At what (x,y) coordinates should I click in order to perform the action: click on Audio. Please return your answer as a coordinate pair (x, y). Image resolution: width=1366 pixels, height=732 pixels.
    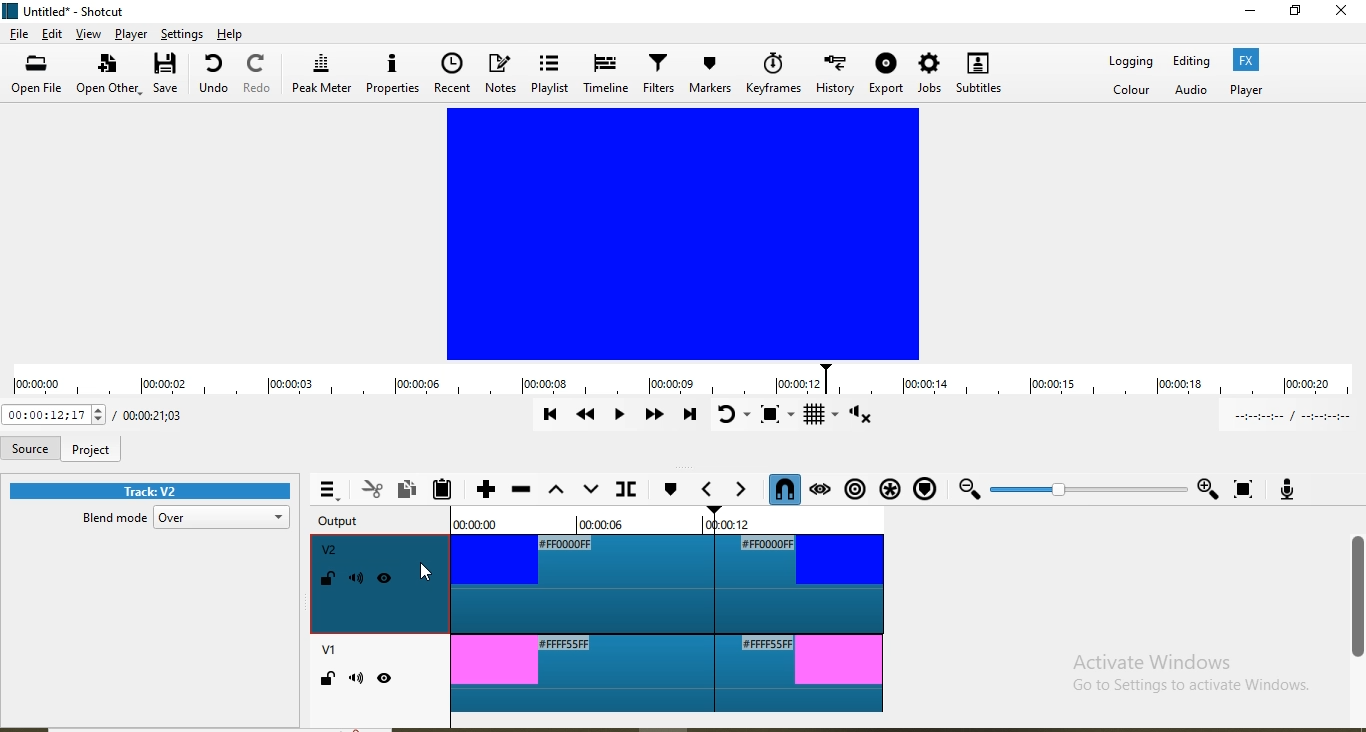
    Looking at the image, I should click on (1190, 88).